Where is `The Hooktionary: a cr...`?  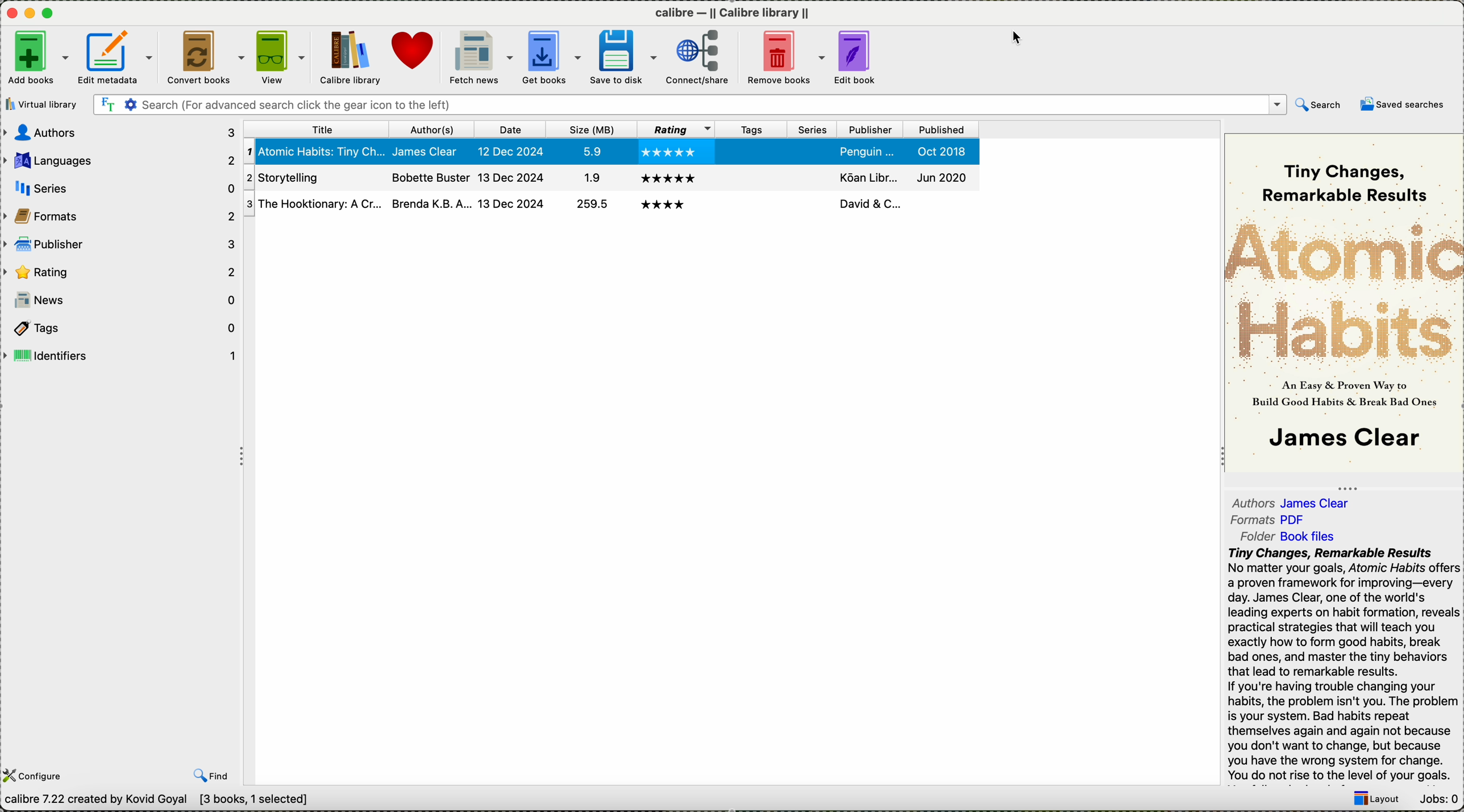 The Hooktionary: a cr... is located at coordinates (313, 178).